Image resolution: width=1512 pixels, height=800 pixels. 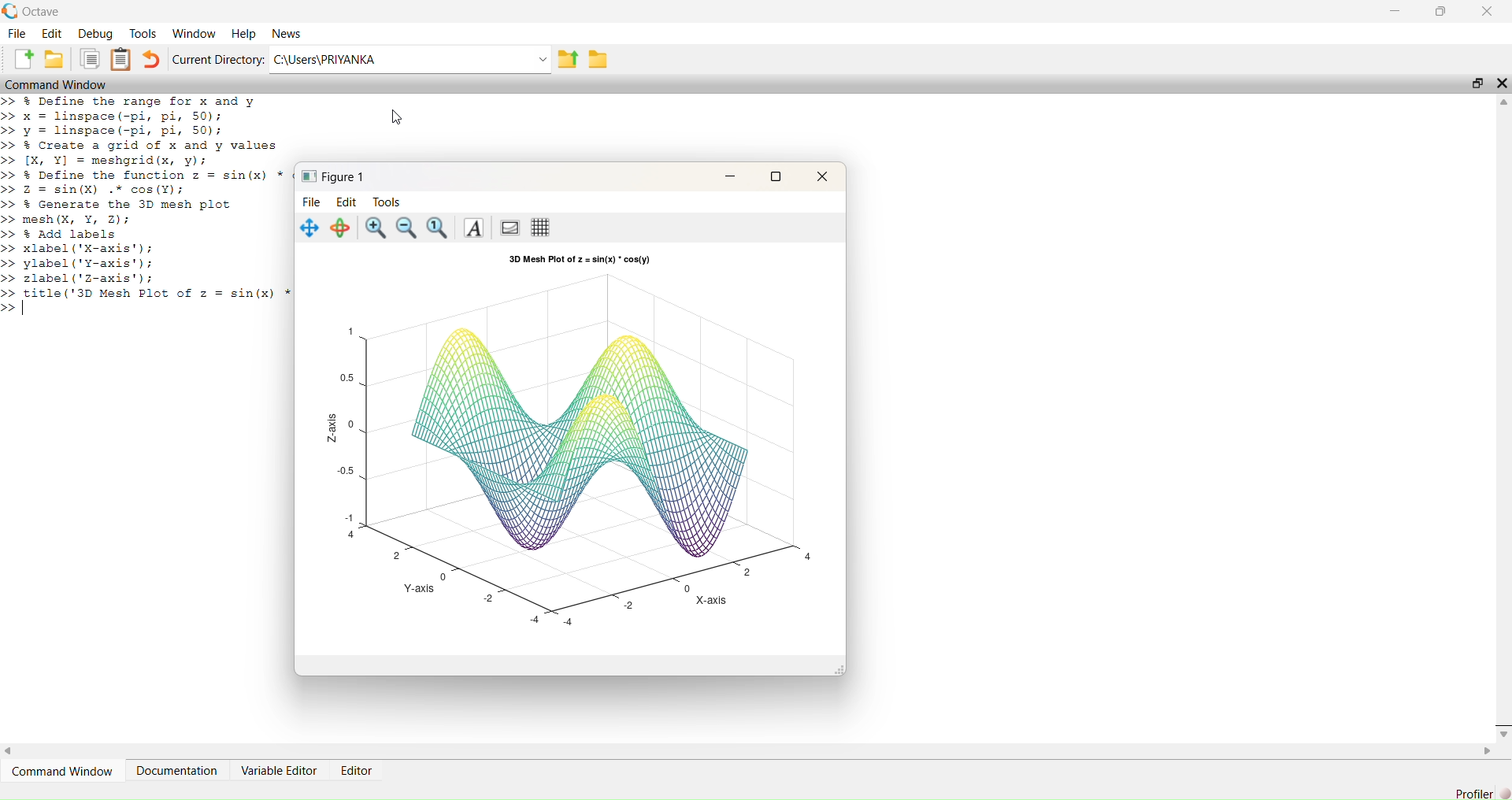 What do you see at coordinates (154, 61) in the screenshot?
I see `Undo` at bounding box center [154, 61].